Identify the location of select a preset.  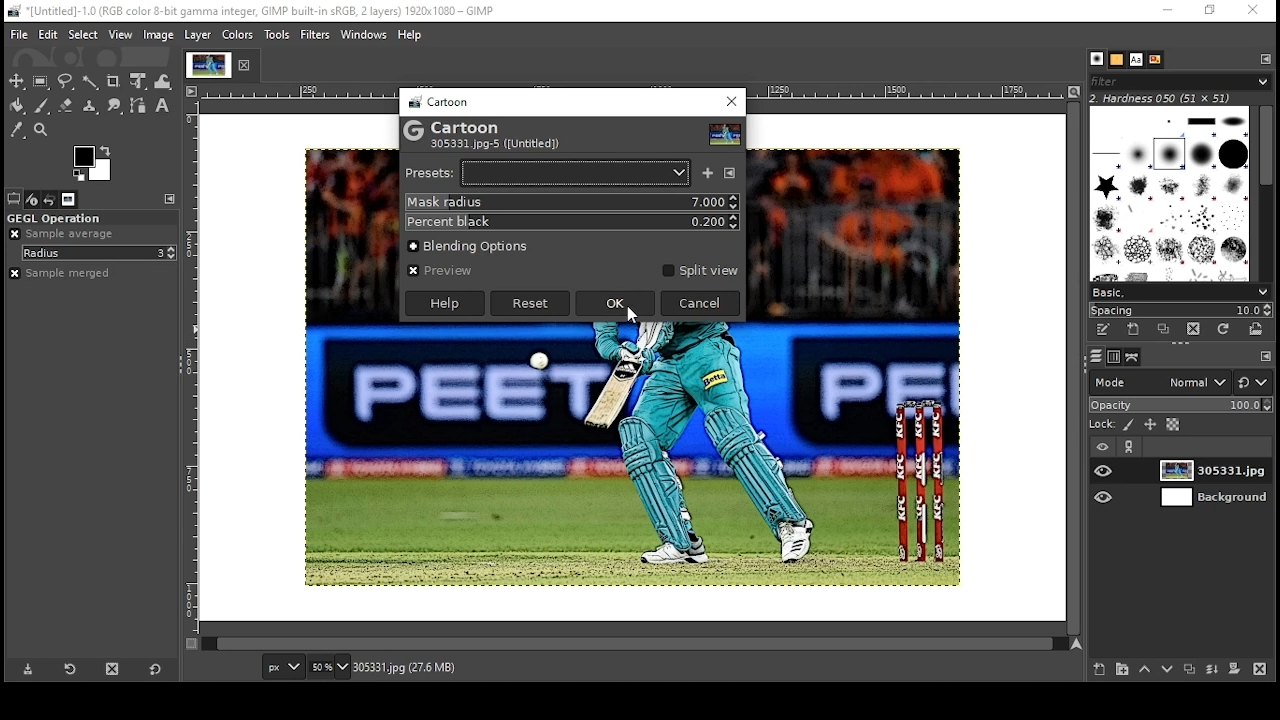
(548, 173).